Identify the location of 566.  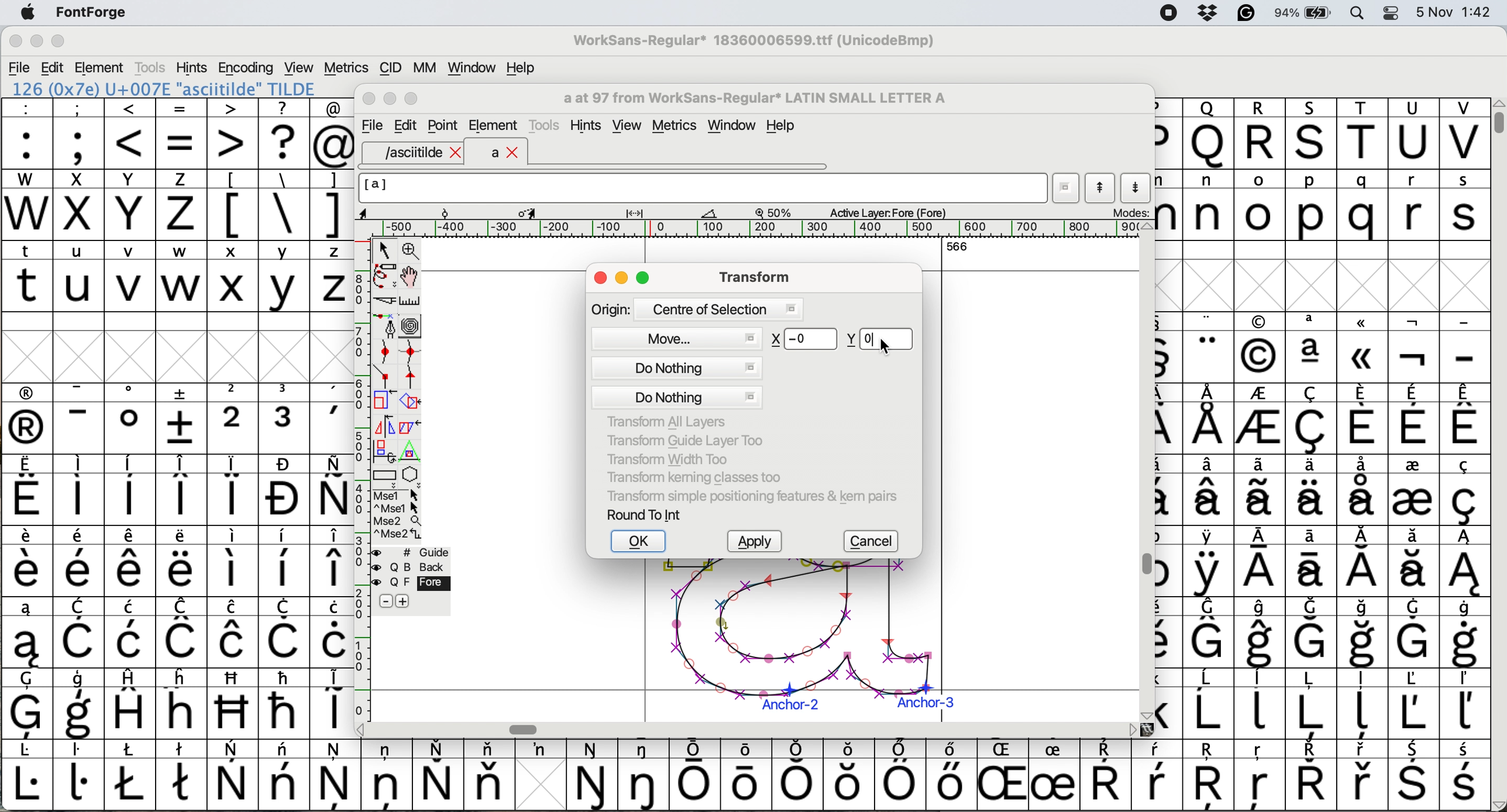
(957, 246).